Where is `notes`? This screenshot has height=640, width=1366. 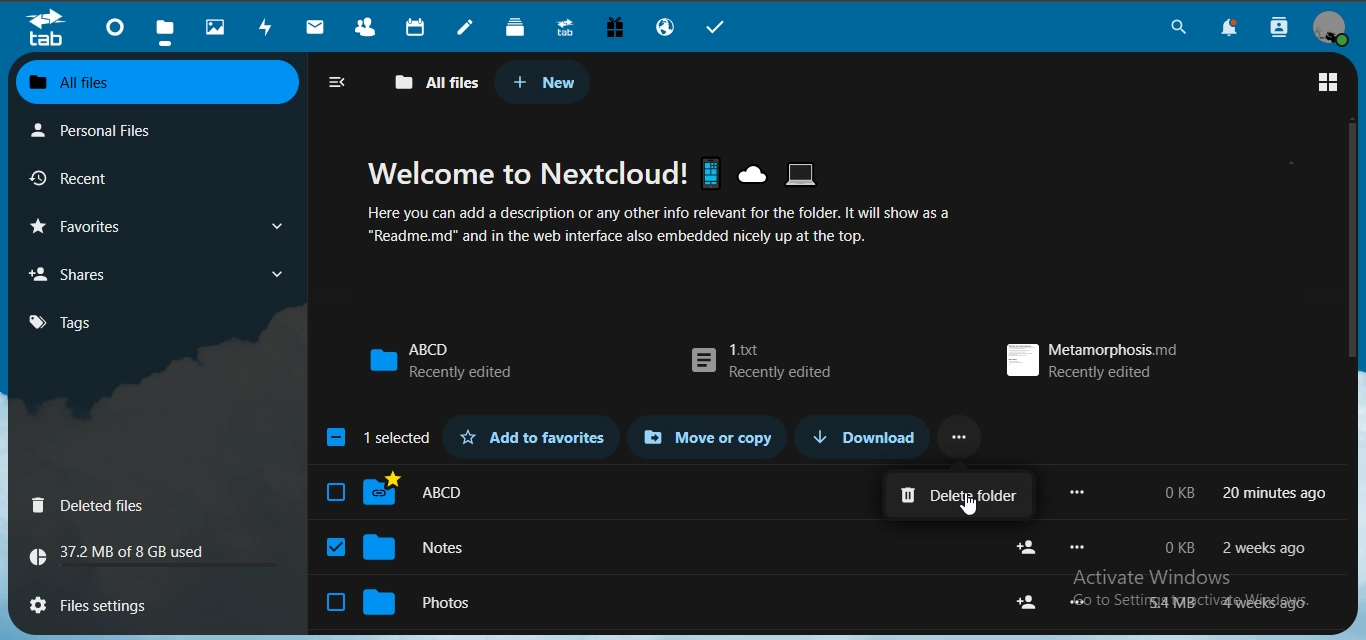
notes is located at coordinates (469, 28).